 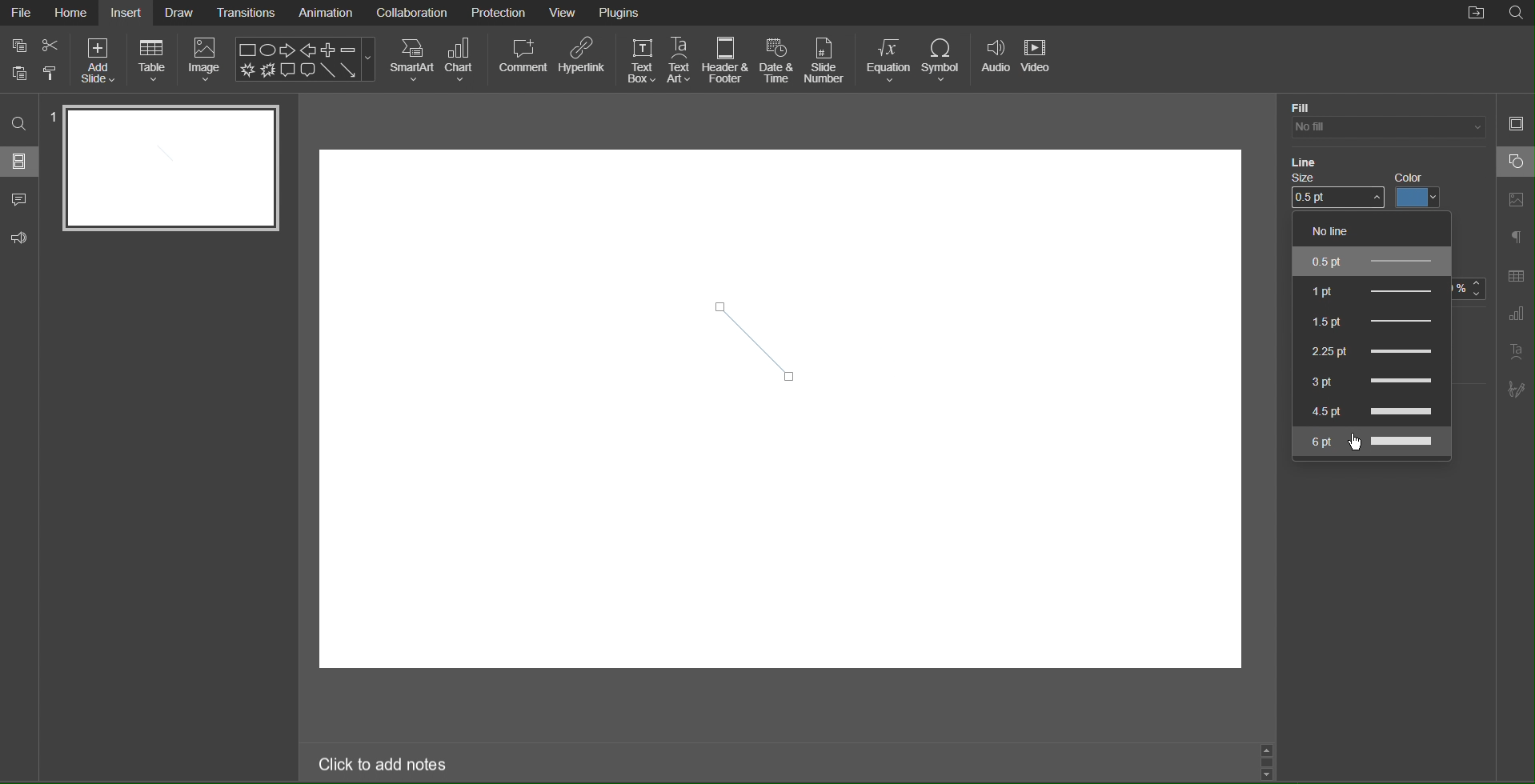 What do you see at coordinates (1371, 262) in the screenshot?
I see `0.5 pt` at bounding box center [1371, 262].